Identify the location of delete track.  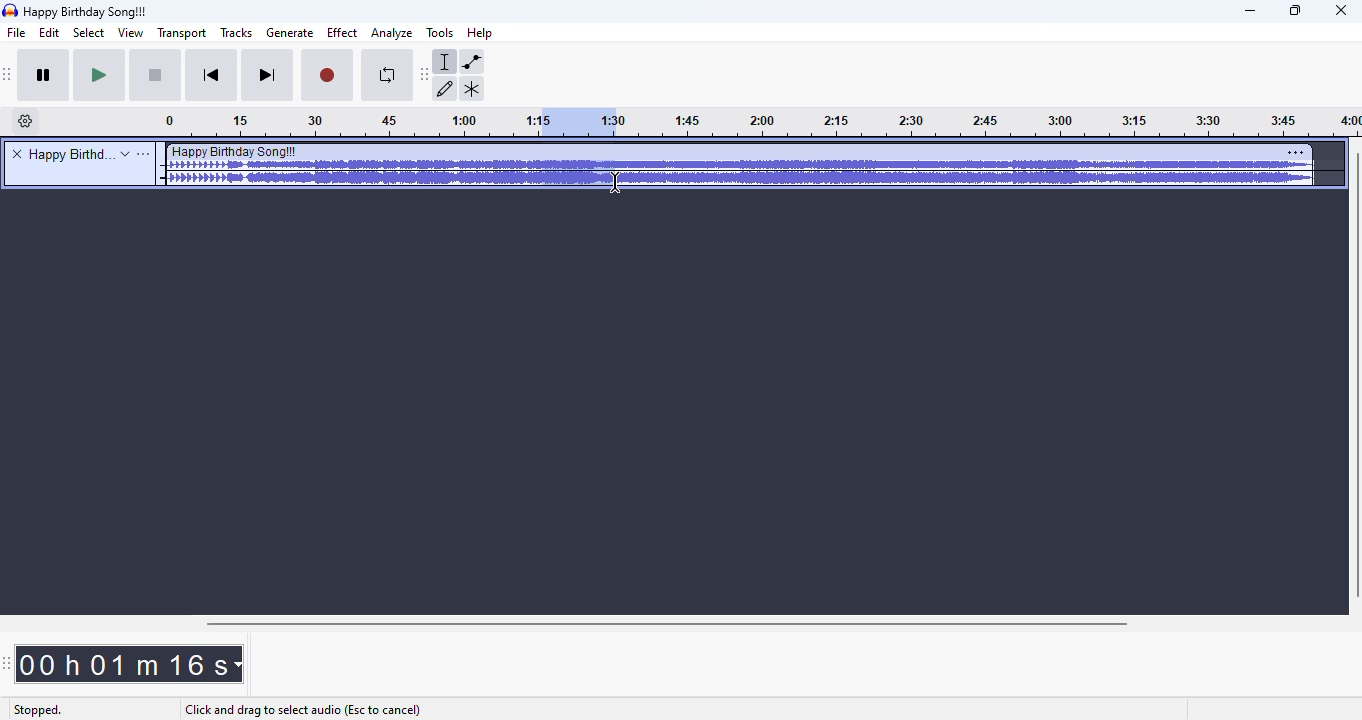
(17, 153).